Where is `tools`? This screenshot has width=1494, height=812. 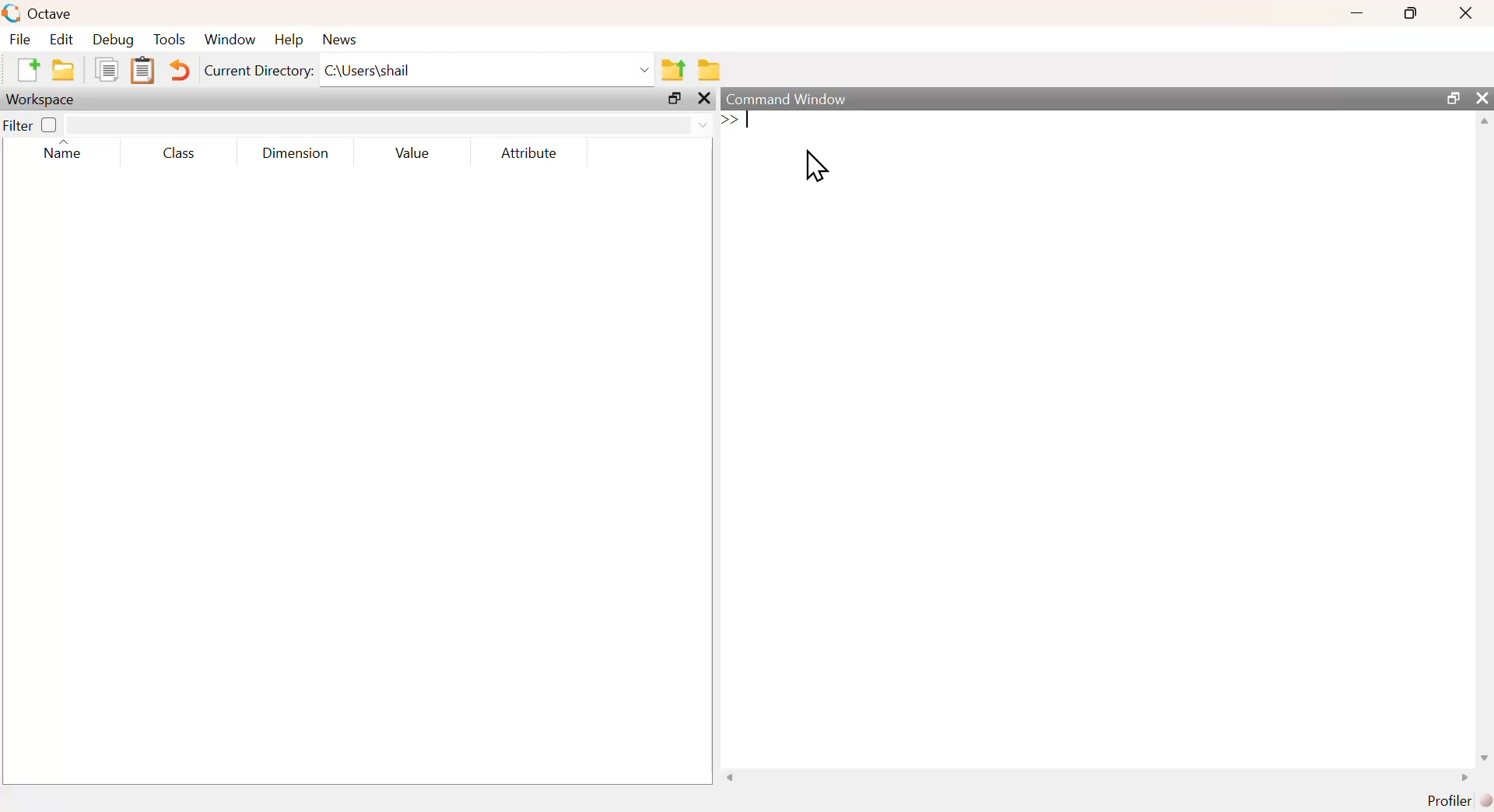
tools is located at coordinates (172, 38).